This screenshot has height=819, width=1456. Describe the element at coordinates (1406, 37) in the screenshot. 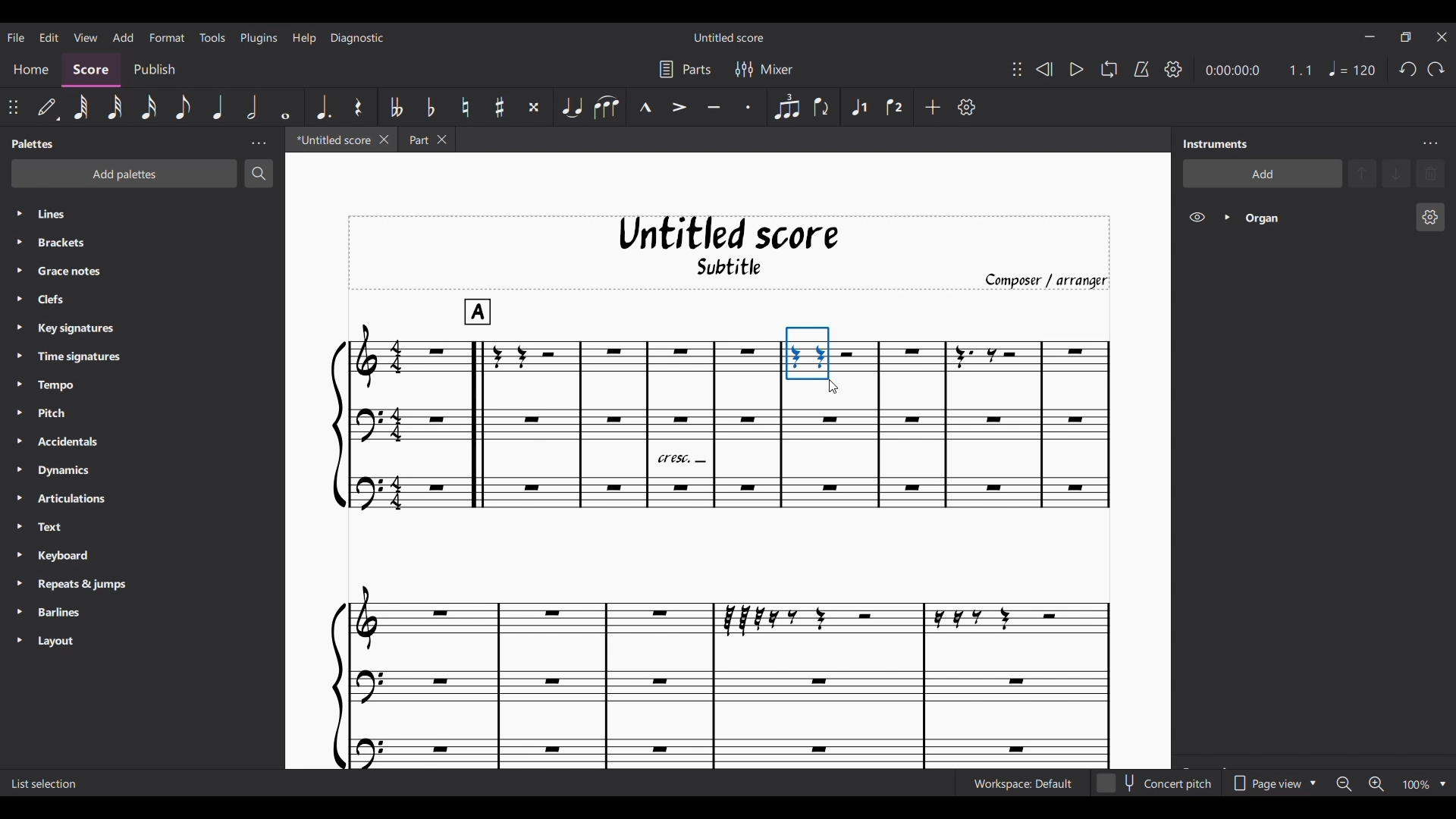

I see `Show interface in smaller tab` at that location.